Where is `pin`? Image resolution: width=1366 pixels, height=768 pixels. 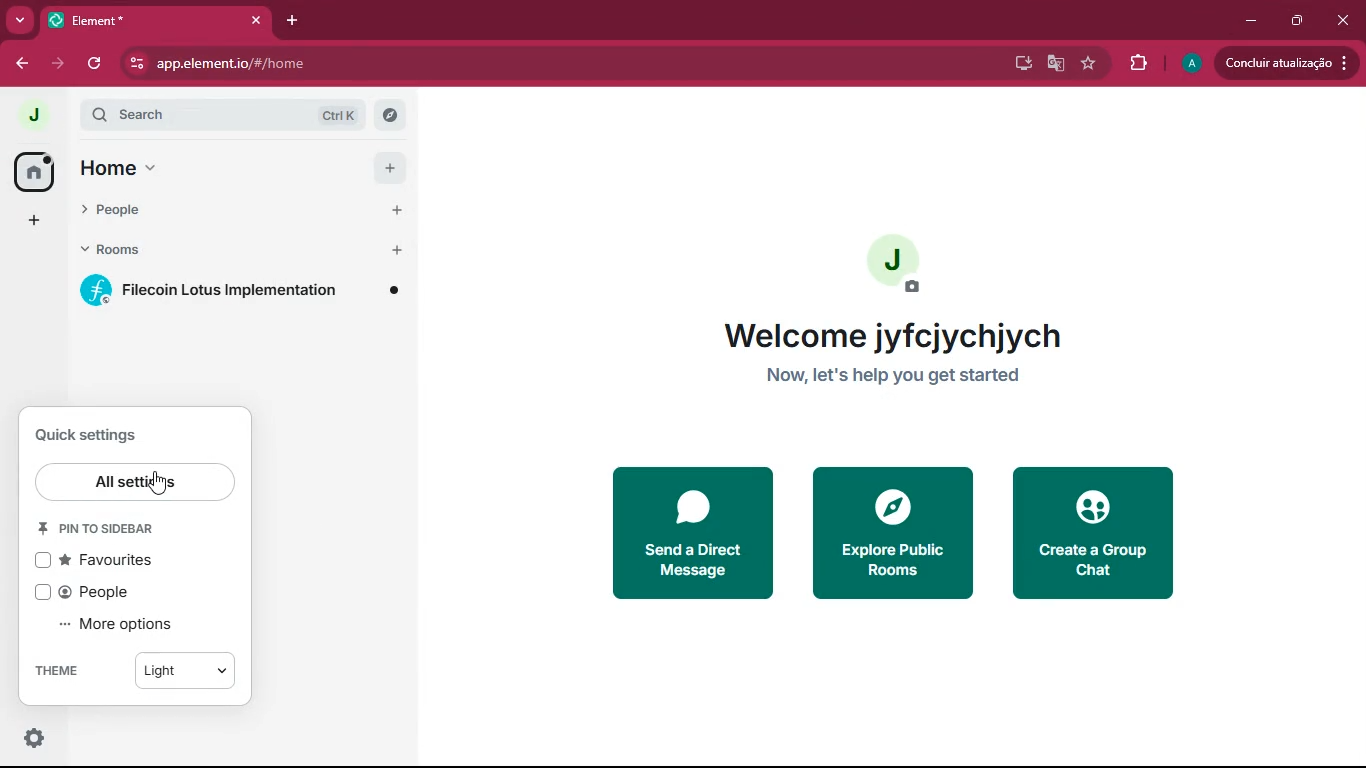 pin is located at coordinates (106, 529).